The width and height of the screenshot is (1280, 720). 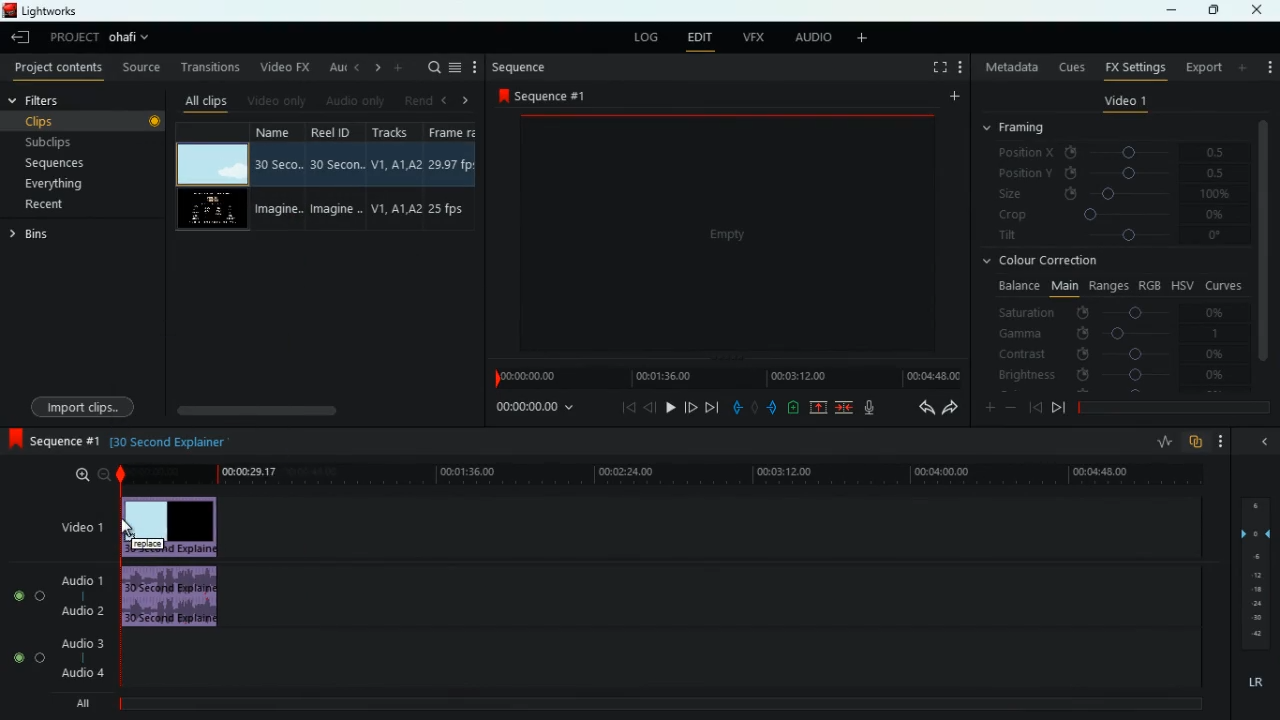 What do you see at coordinates (1259, 10) in the screenshot?
I see `close` at bounding box center [1259, 10].